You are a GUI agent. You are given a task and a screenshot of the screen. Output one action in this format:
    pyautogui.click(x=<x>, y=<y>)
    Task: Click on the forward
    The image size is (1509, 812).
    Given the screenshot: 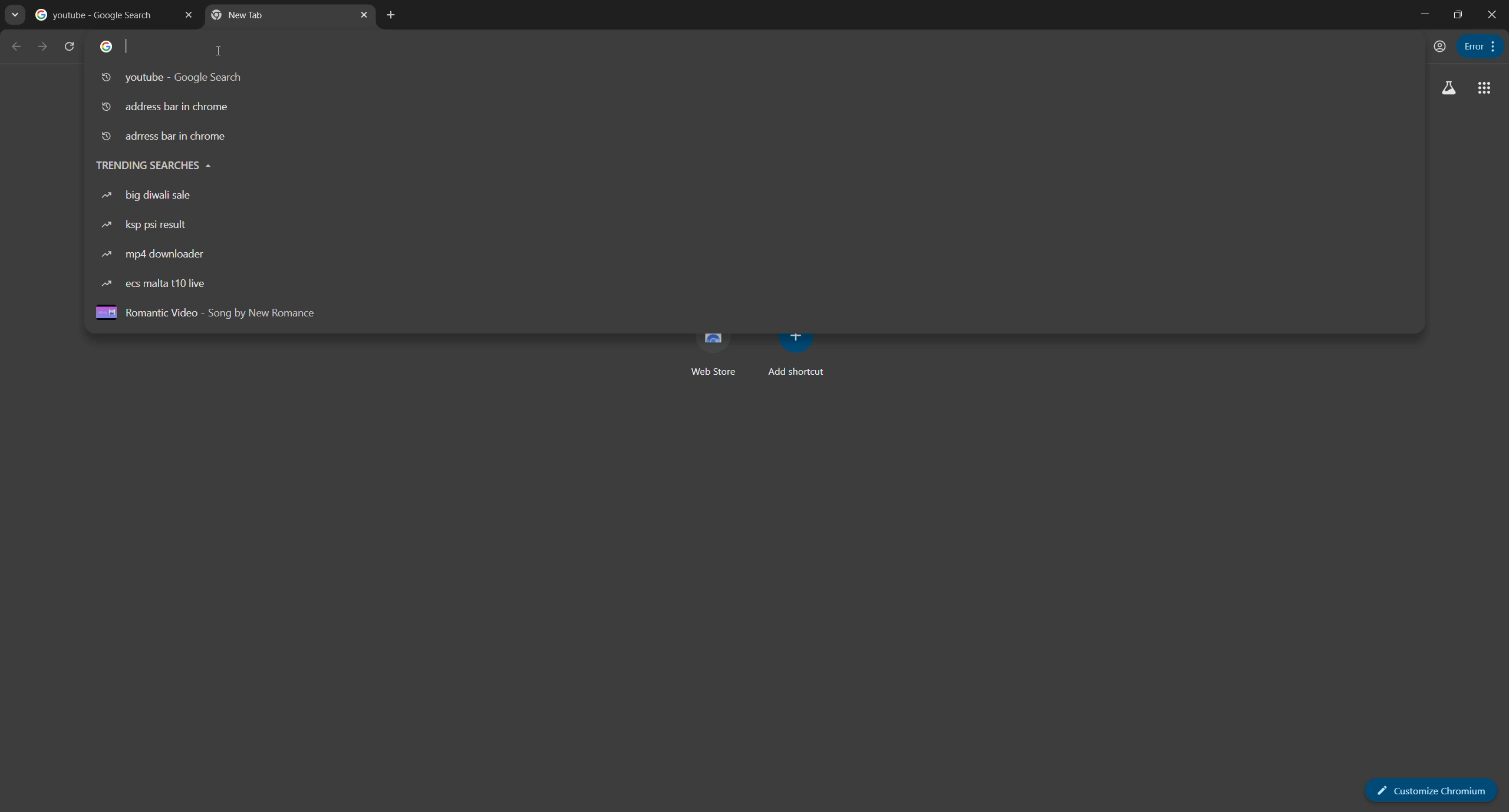 What is the action you would take?
    pyautogui.click(x=41, y=46)
    